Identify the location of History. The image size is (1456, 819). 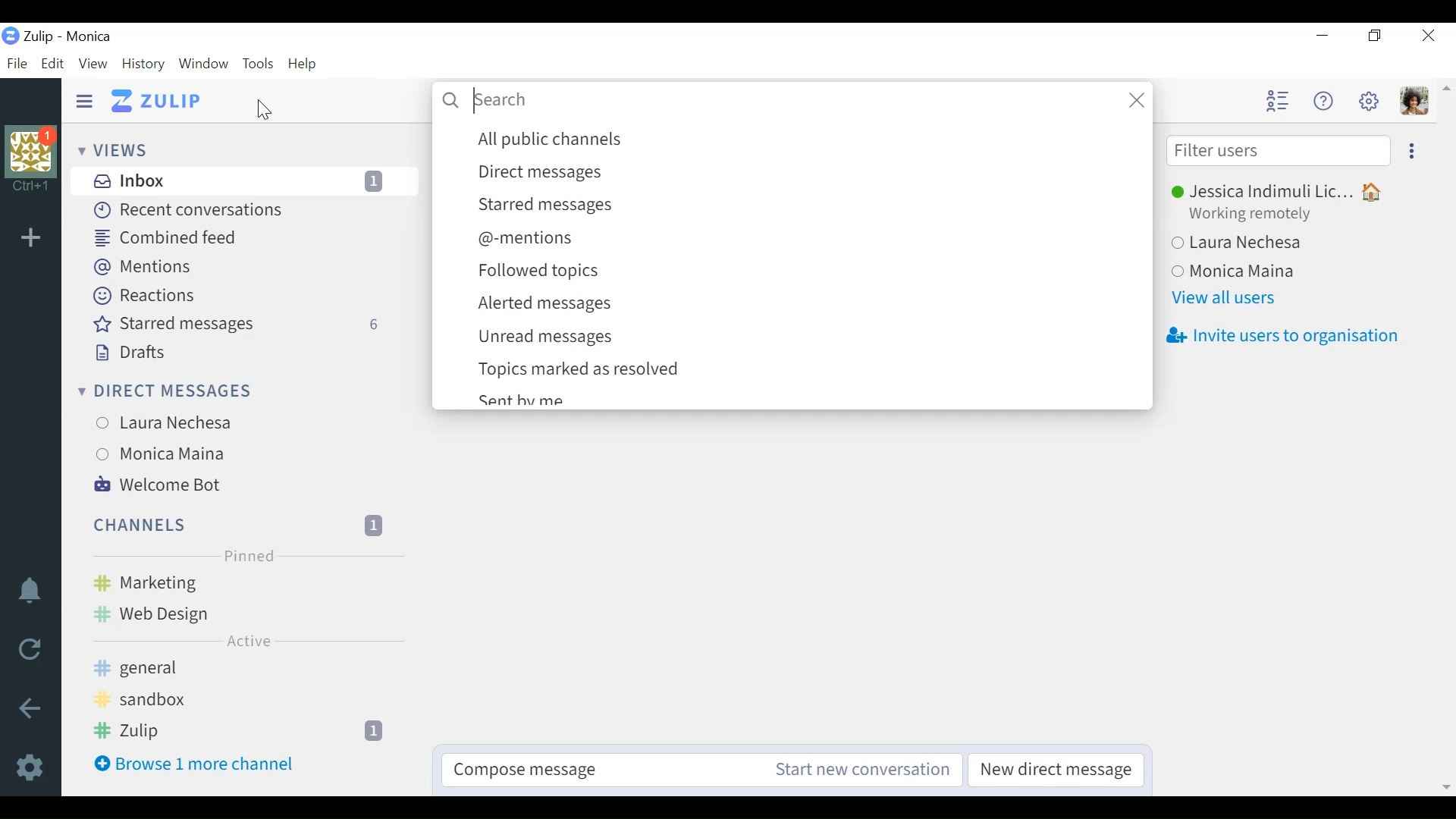
(143, 63).